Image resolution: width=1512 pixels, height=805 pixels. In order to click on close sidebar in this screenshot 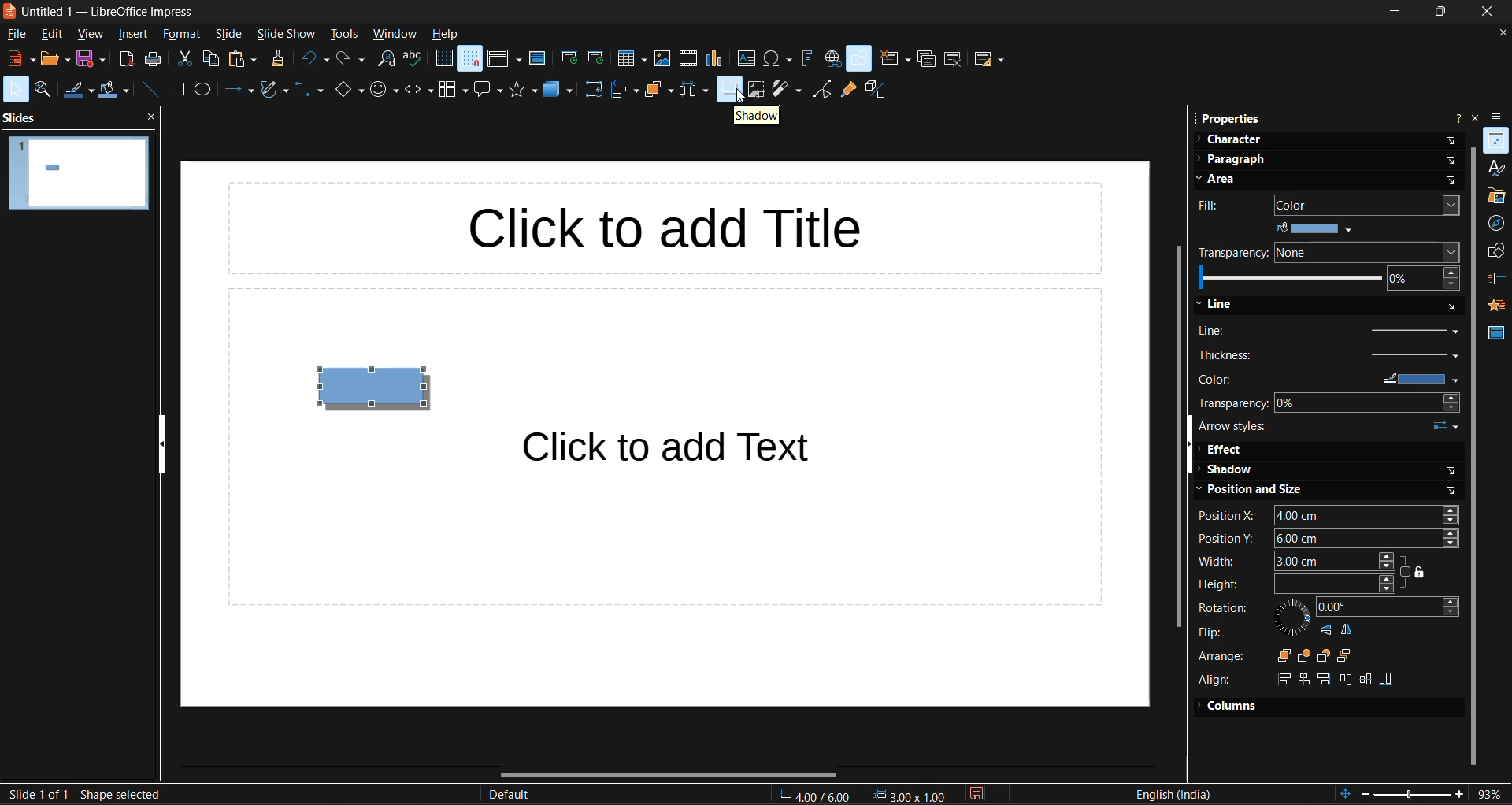, I will do `click(1477, 117)`.